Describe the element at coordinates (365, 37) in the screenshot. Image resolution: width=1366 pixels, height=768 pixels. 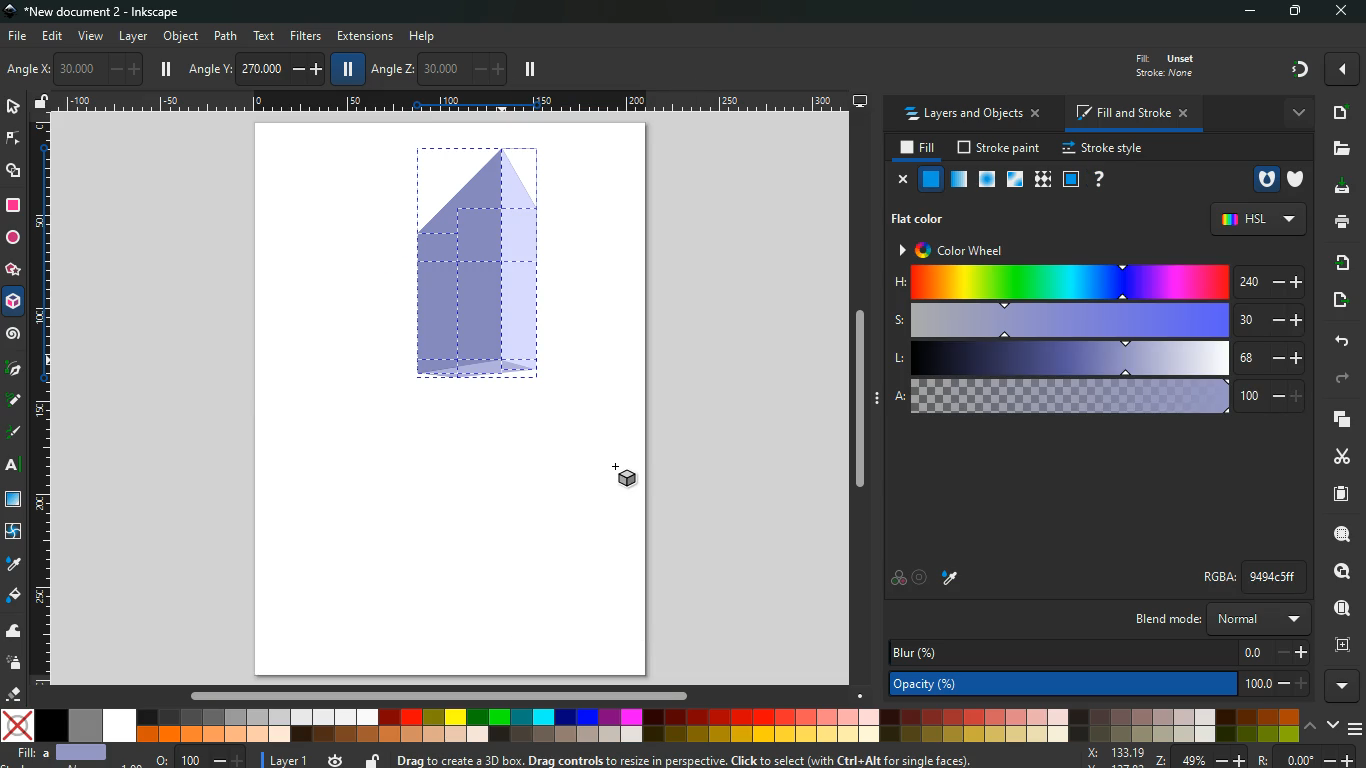
I see `extensions` at that location.